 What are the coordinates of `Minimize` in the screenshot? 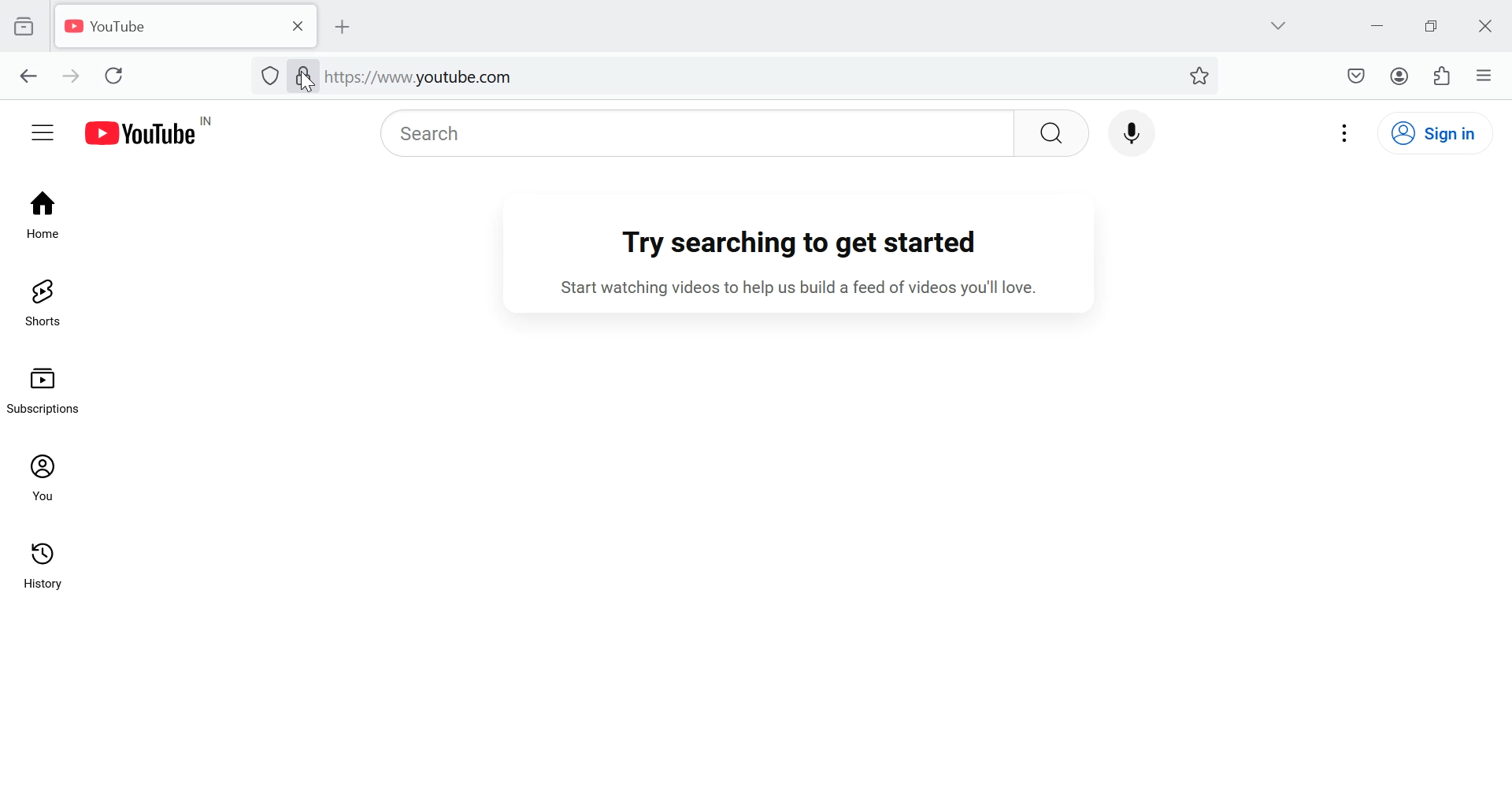 It's located at (1378, 24).